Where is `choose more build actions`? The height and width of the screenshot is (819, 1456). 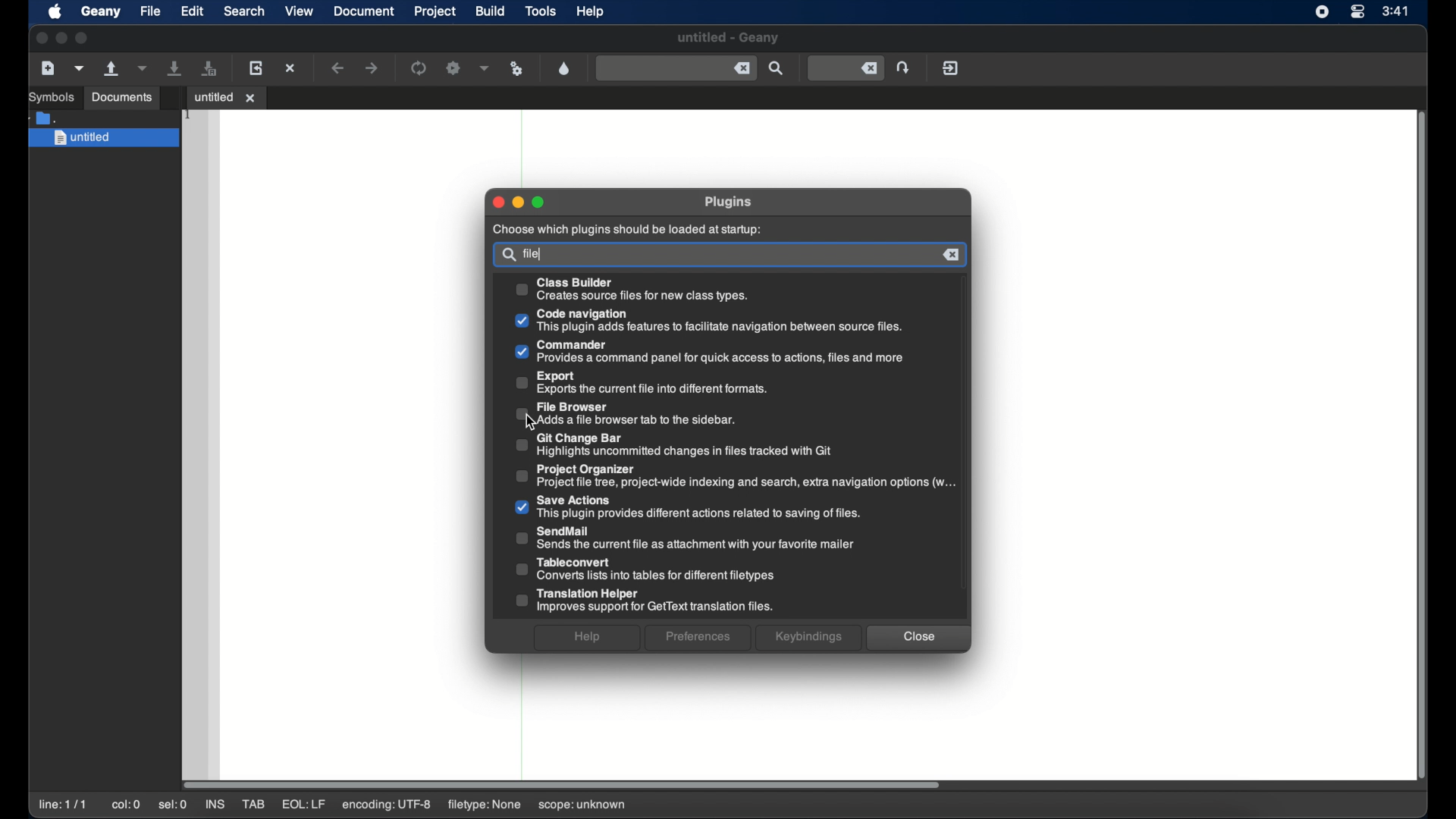
choose more build actions is located at coordinates (485, 68).